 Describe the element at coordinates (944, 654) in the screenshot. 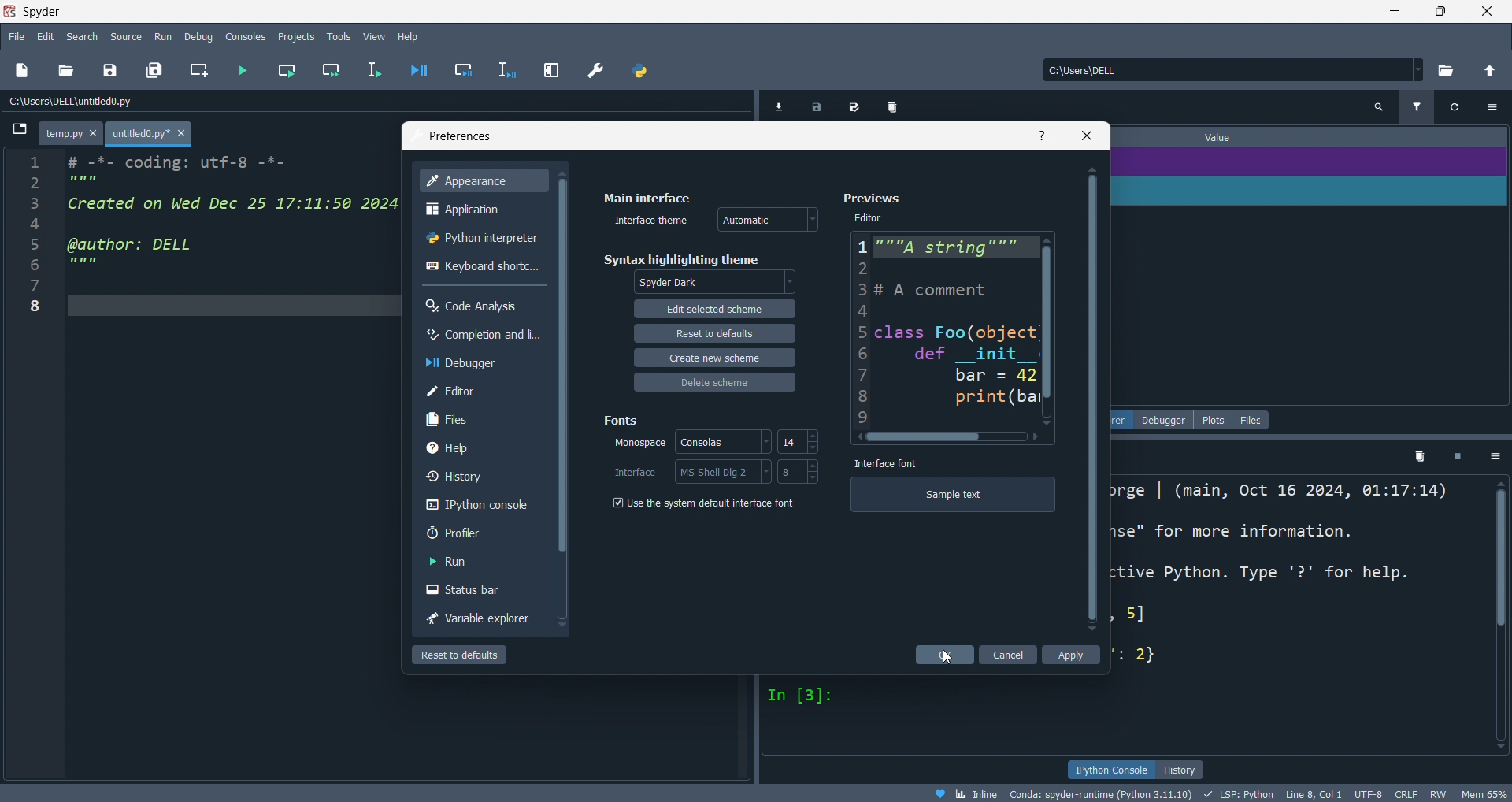

I see `ok` at that location.